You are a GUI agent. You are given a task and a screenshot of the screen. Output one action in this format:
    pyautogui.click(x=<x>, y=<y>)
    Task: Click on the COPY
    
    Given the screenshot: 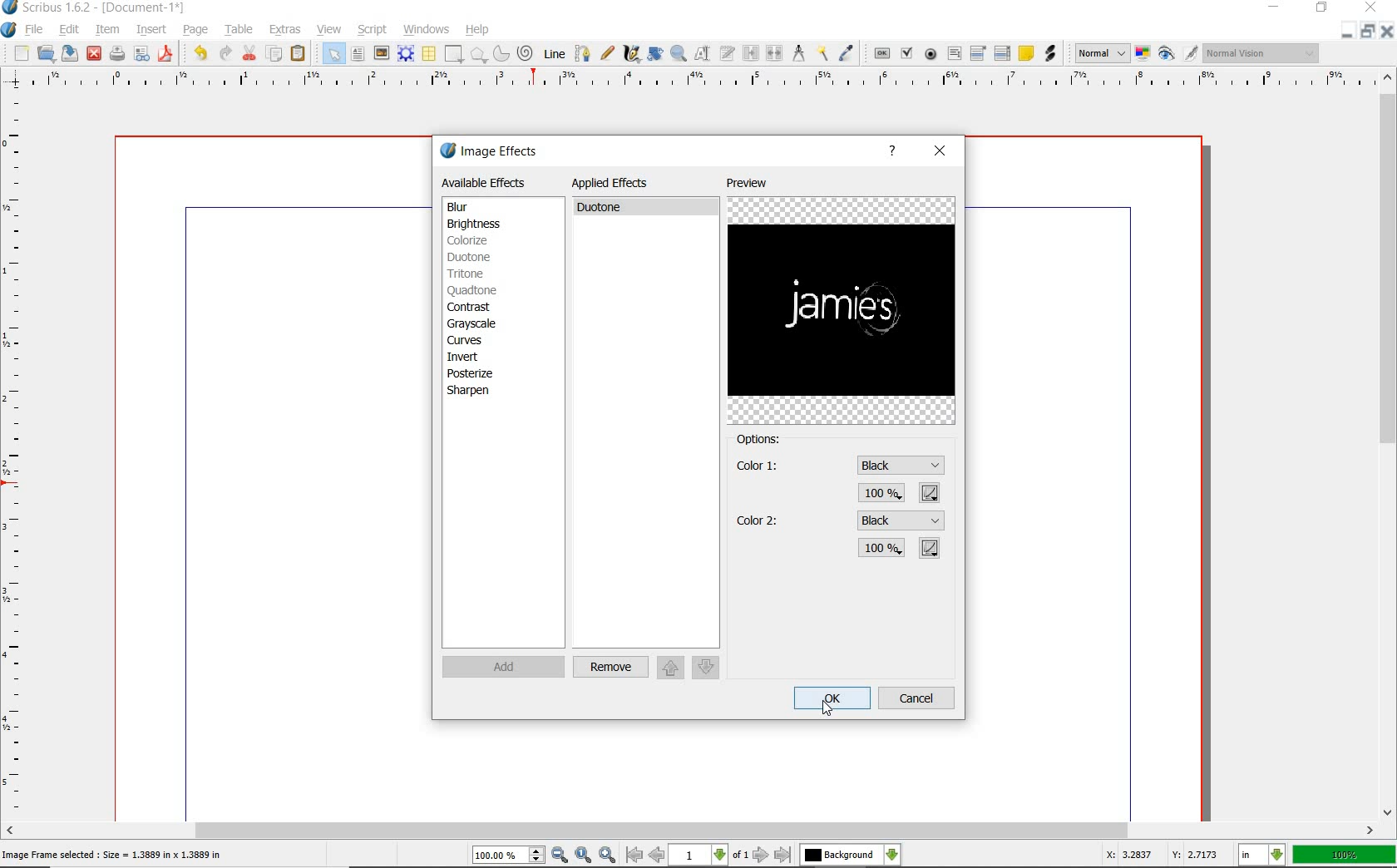 What is the action you would take?
    pyautogui.click(x=274, y=57)
    